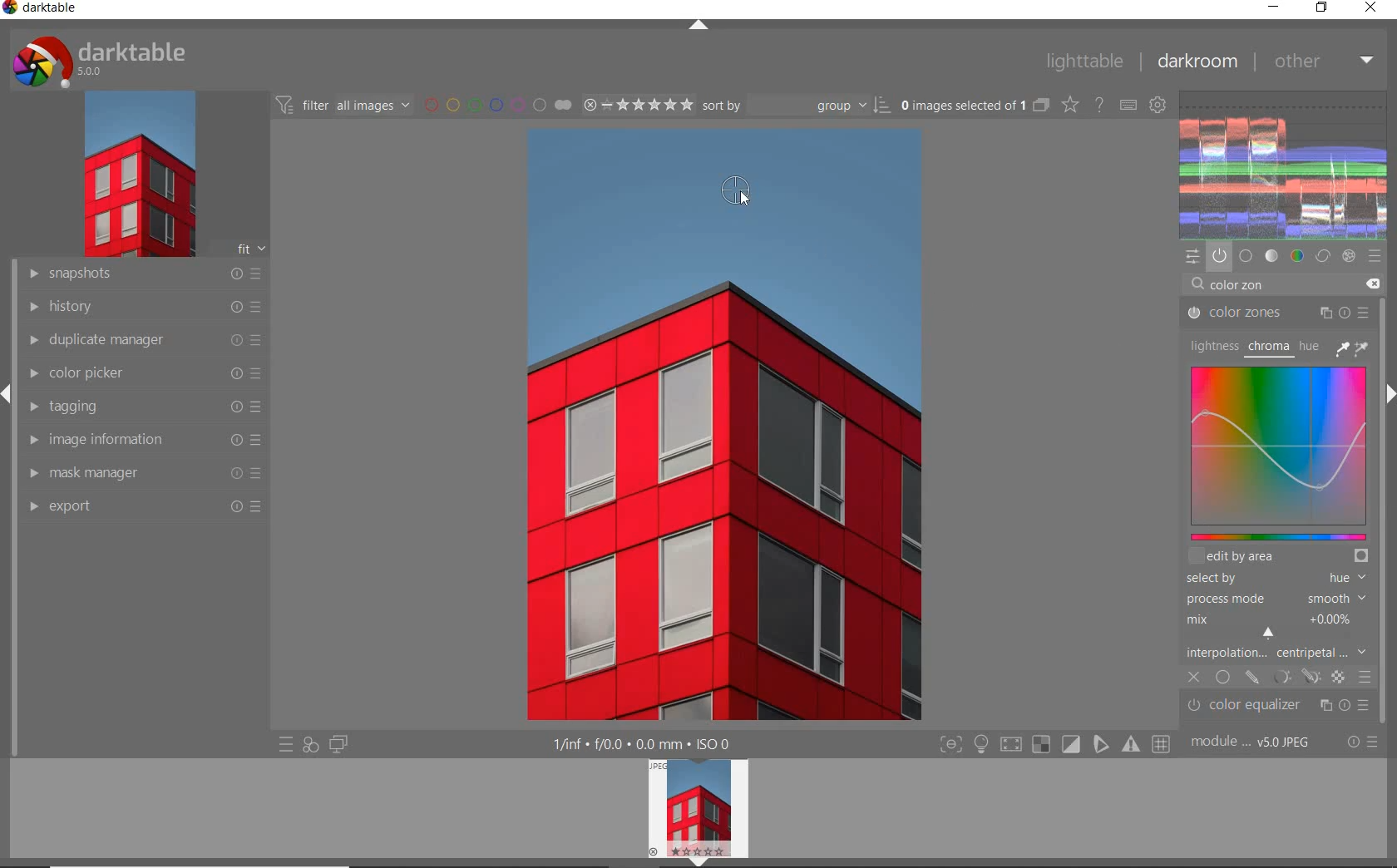 This screenshot has height=868, width=1397. What do you see at coordinates (1222, 678) in the screenshot?
I see `UNIFORMLY` at bounding box center [1222, 678].